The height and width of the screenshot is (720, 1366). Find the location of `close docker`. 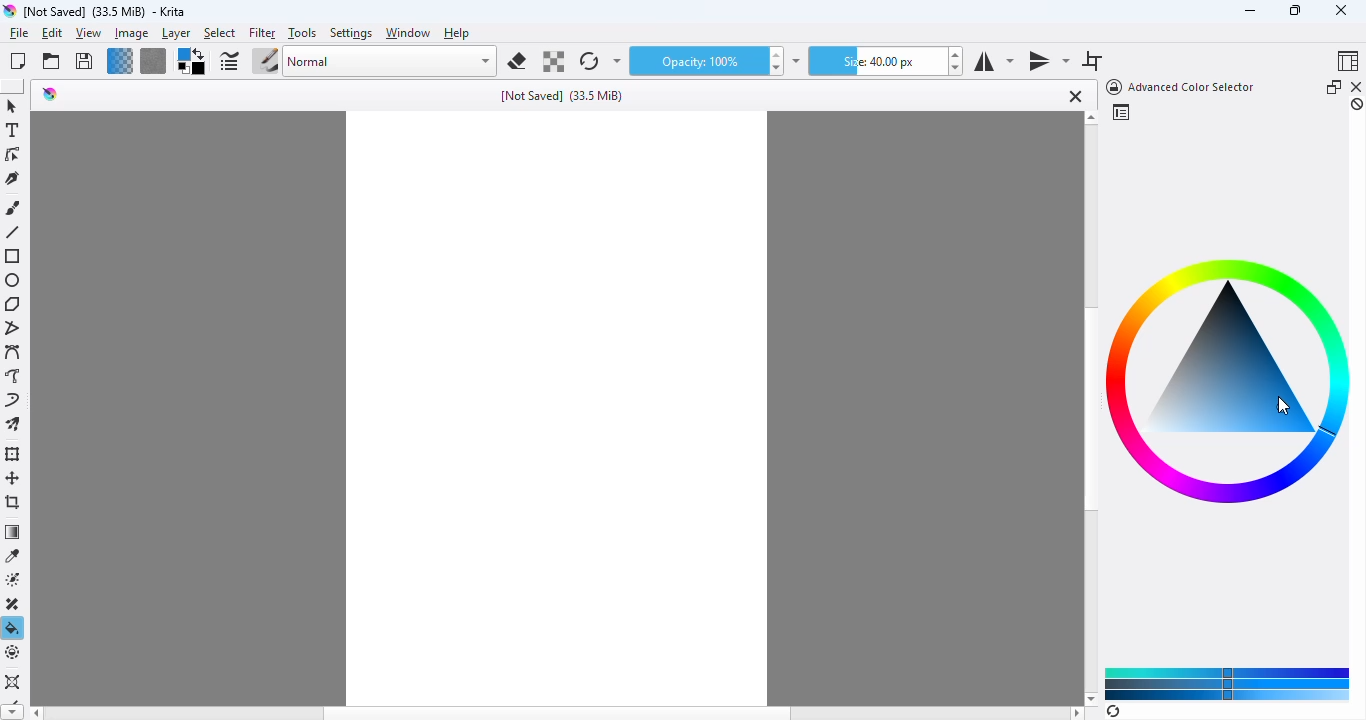

close docker is located at coordinates (1357, 86).